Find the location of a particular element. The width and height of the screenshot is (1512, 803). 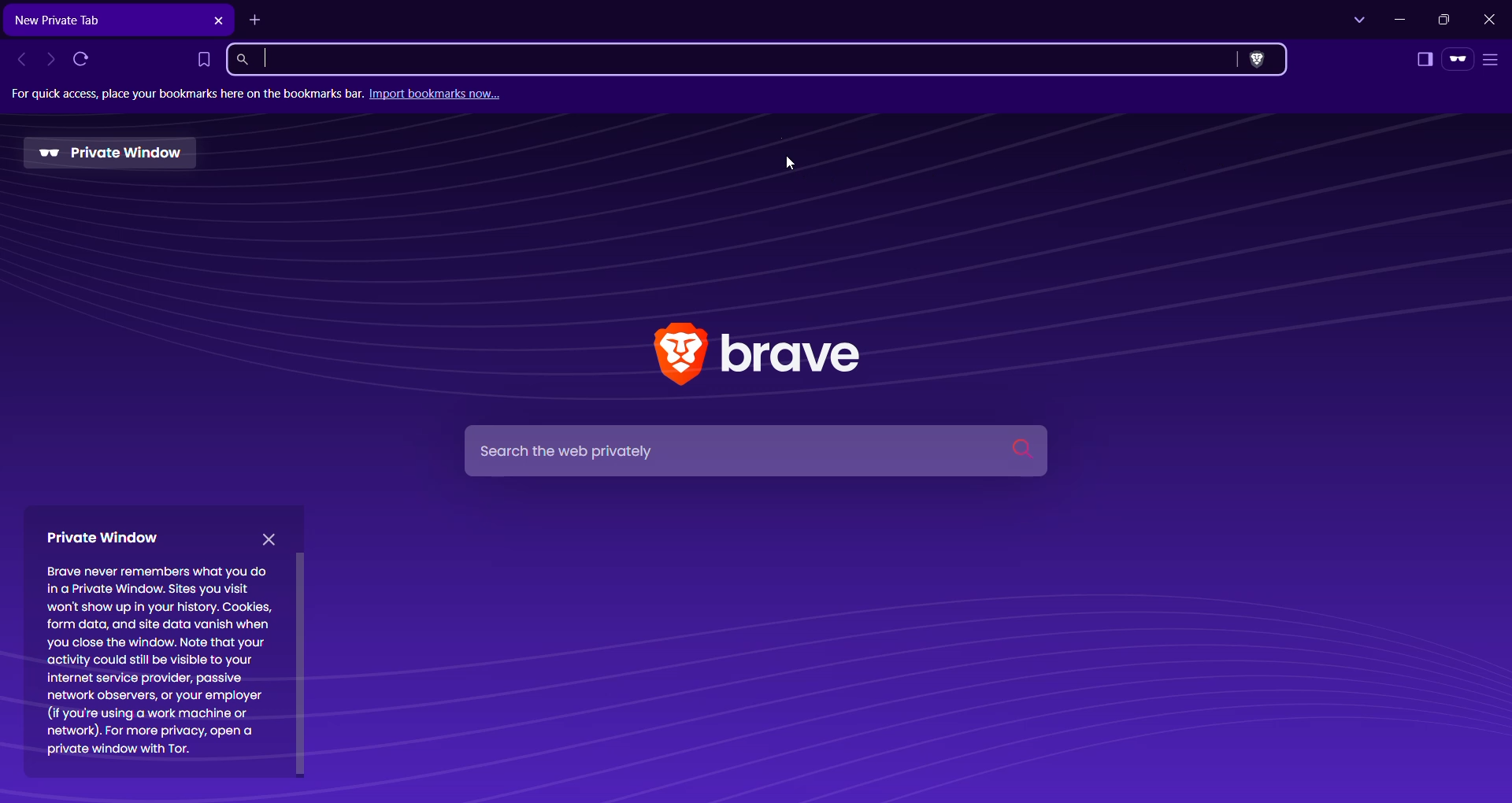

Restore Down is located at coordinates (1443, 20).